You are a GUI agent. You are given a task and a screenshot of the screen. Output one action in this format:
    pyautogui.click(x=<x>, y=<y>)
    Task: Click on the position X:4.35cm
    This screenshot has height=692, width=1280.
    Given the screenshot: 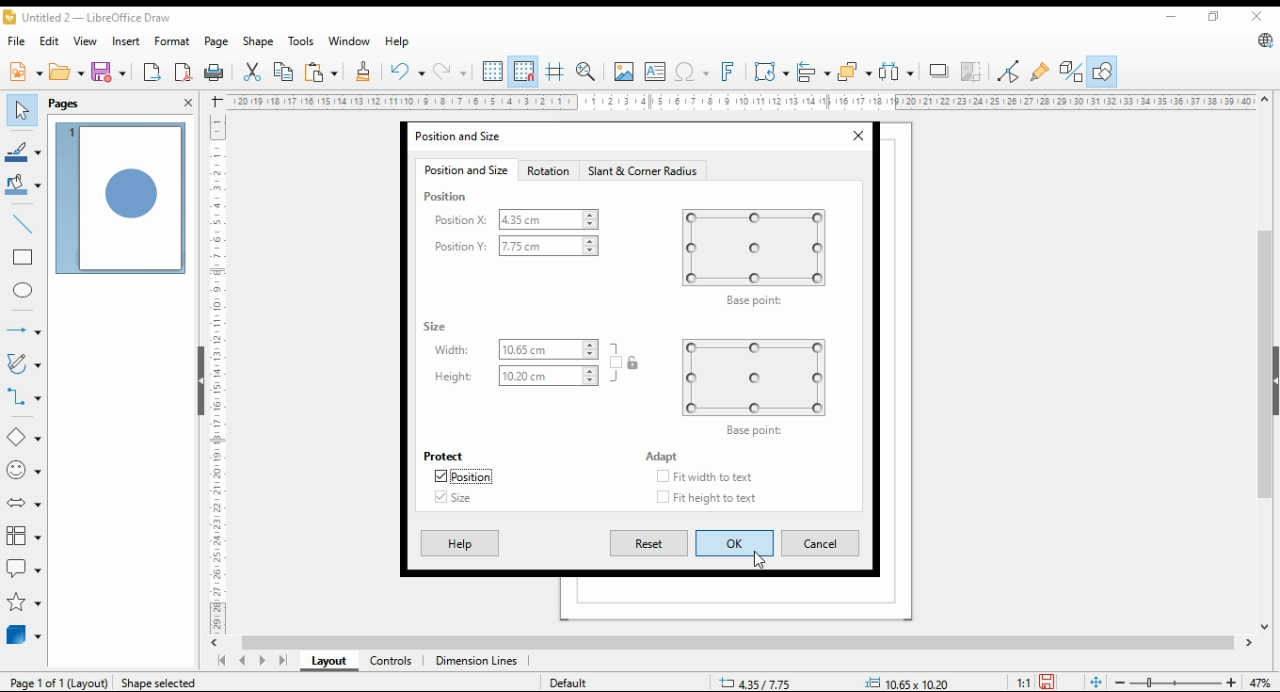 What is the action you would take?
    pyautogui.click(x=518, y=219)
    